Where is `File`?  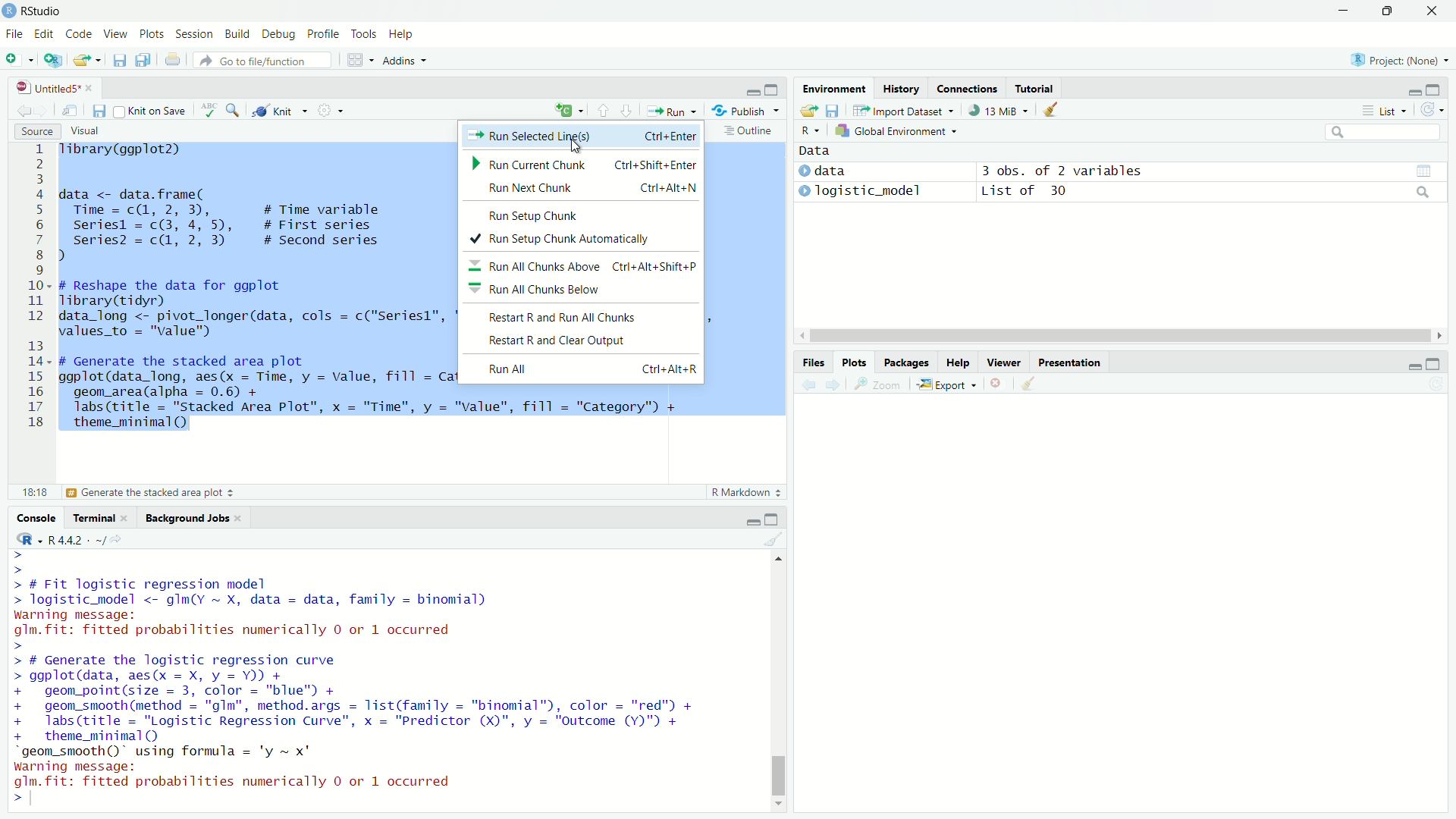 File is located at coordinates (15, 35).